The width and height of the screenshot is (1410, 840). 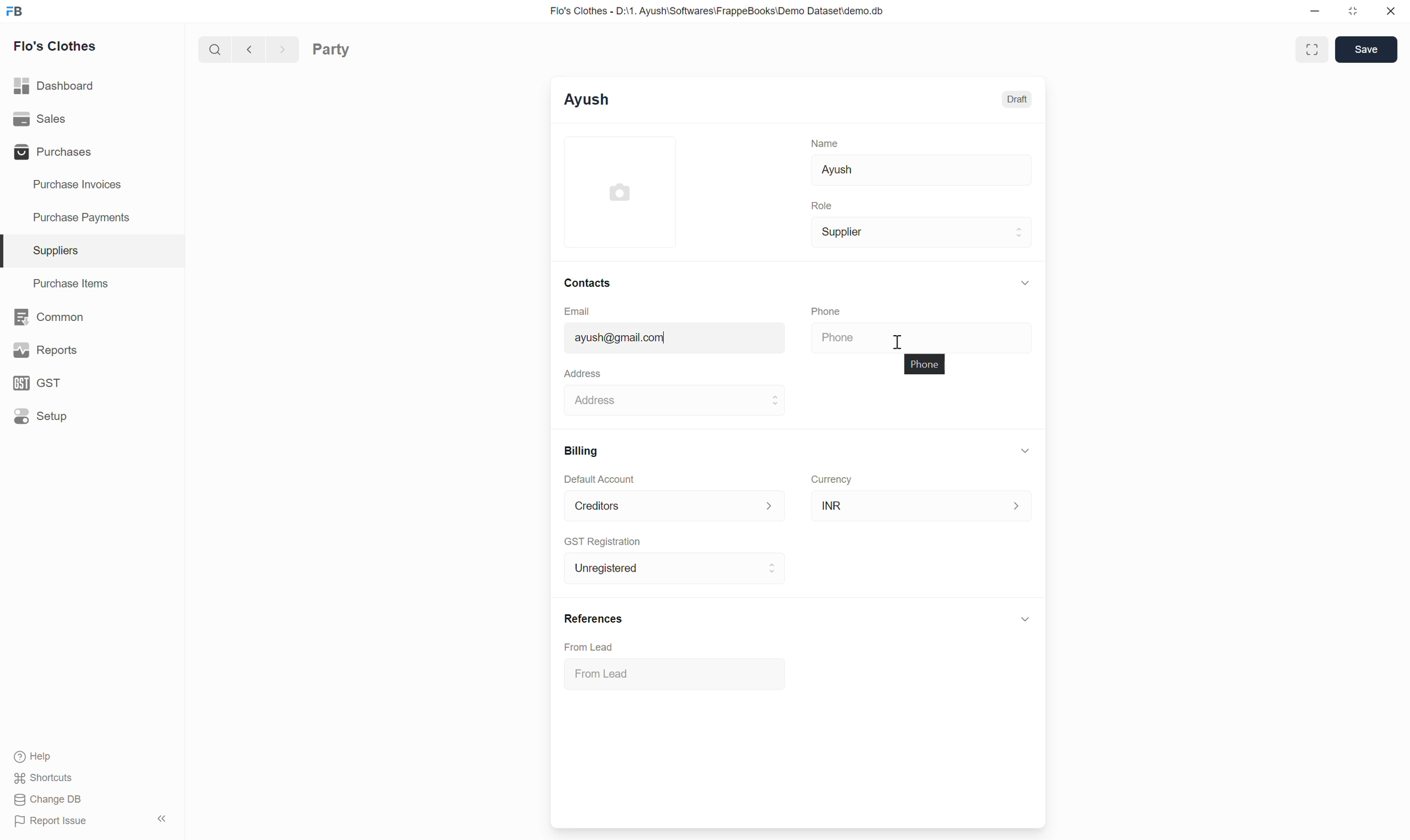 What do you see at coordinates (1391, 11) in the screenshot?
I see `Close` at bounding box center [1391, 11].